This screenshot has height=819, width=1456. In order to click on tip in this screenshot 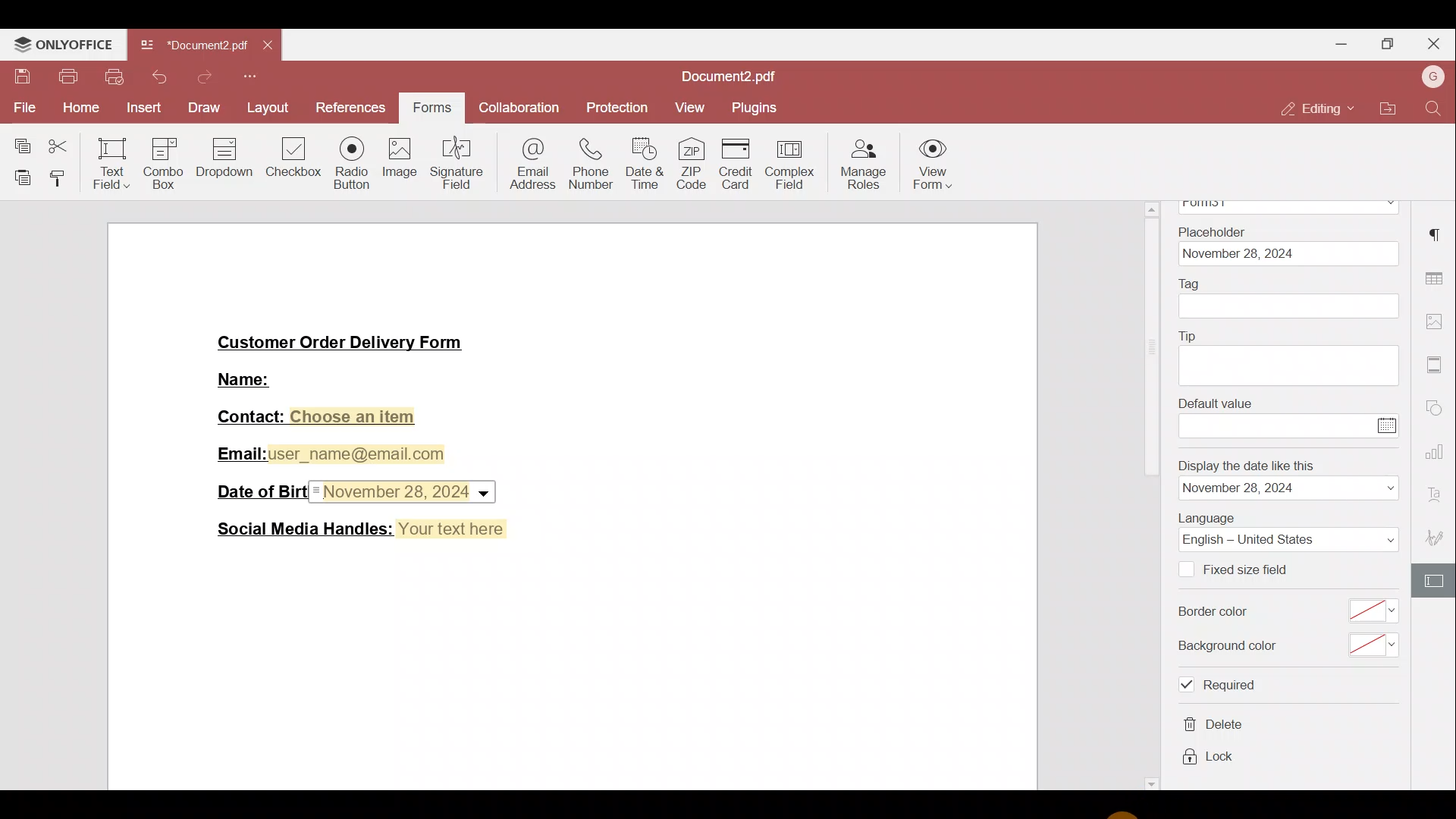, I will do `click(1290, 366)`.